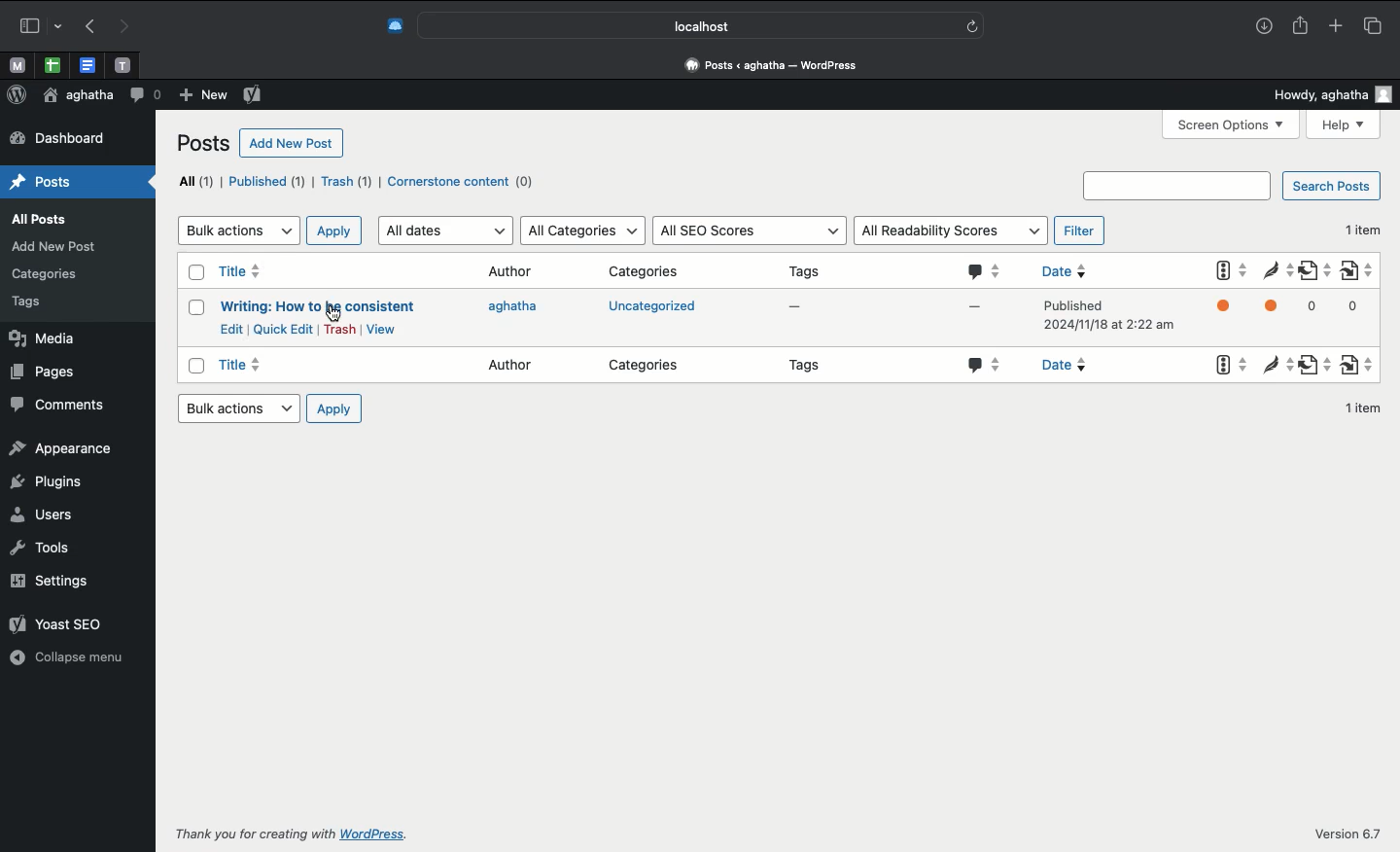 The image size is (1400, 852). What do you see at coordinates (698, 26) in the screenshot?
I see `localhost` at bounding box center [698, 26].